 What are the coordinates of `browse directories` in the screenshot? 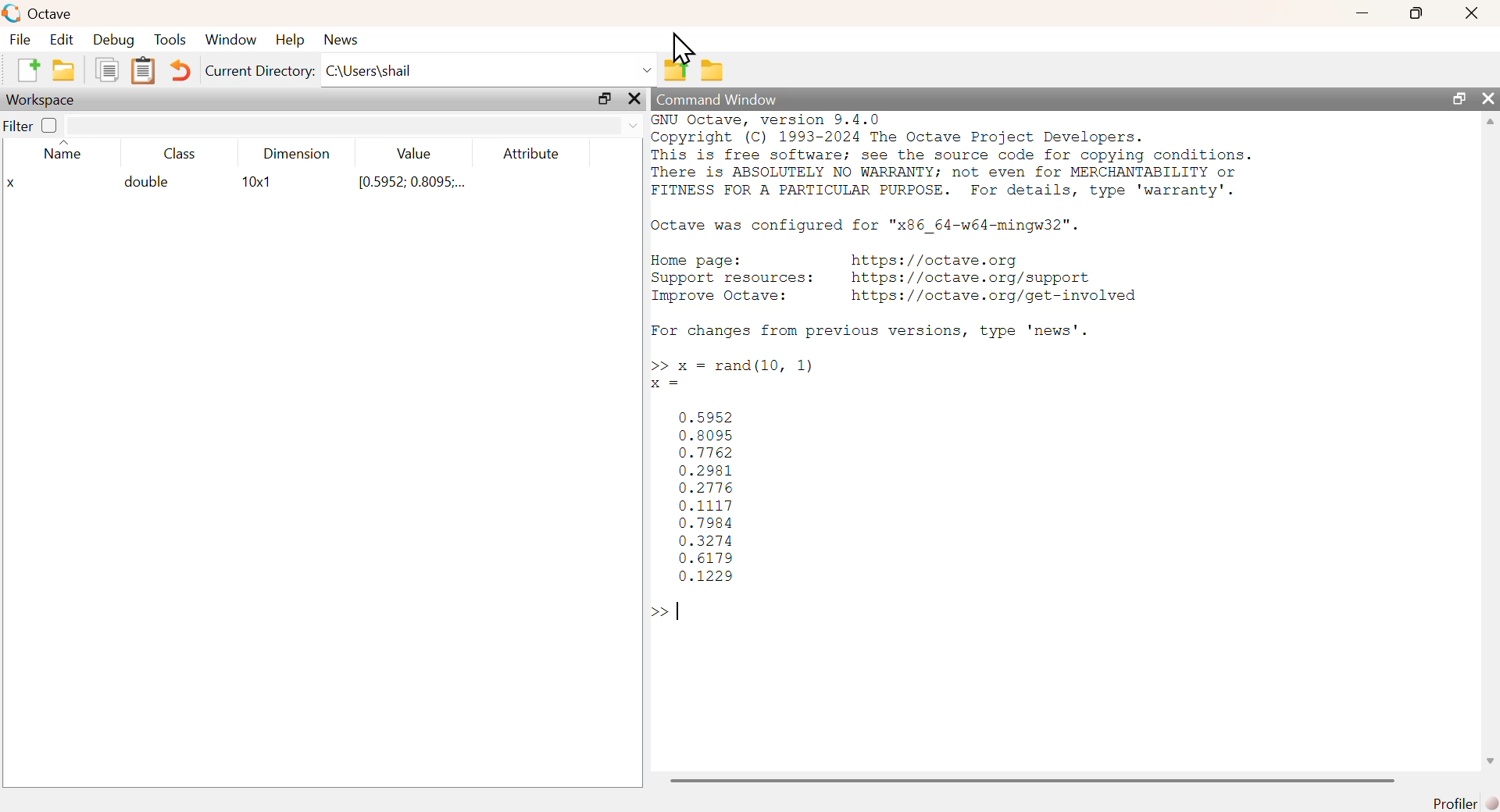 It's located at (713, 71).